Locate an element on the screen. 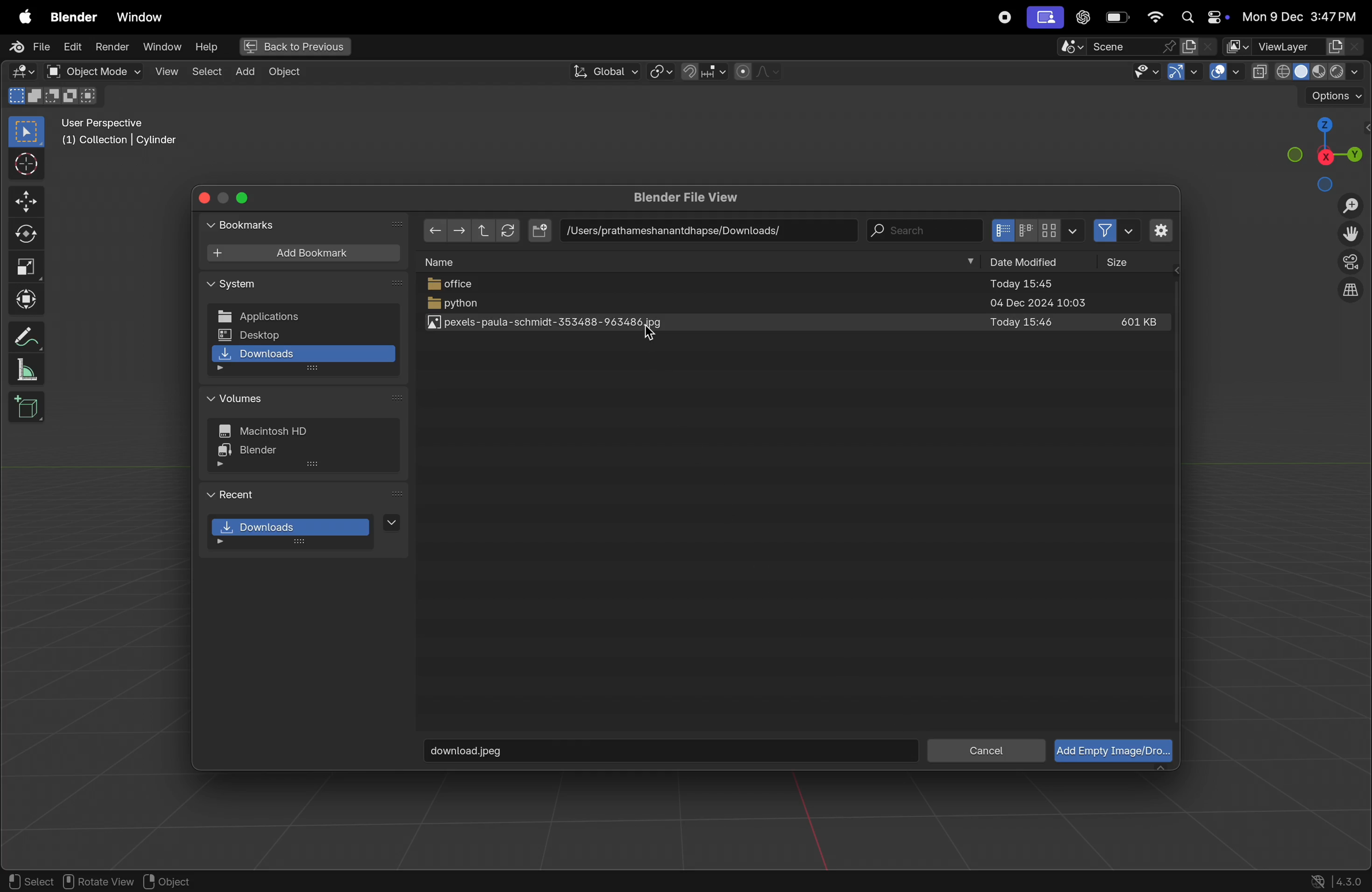 Image resolution: width=1372 pixels, height=892 pixels. name is located at coordinates (447, 262).